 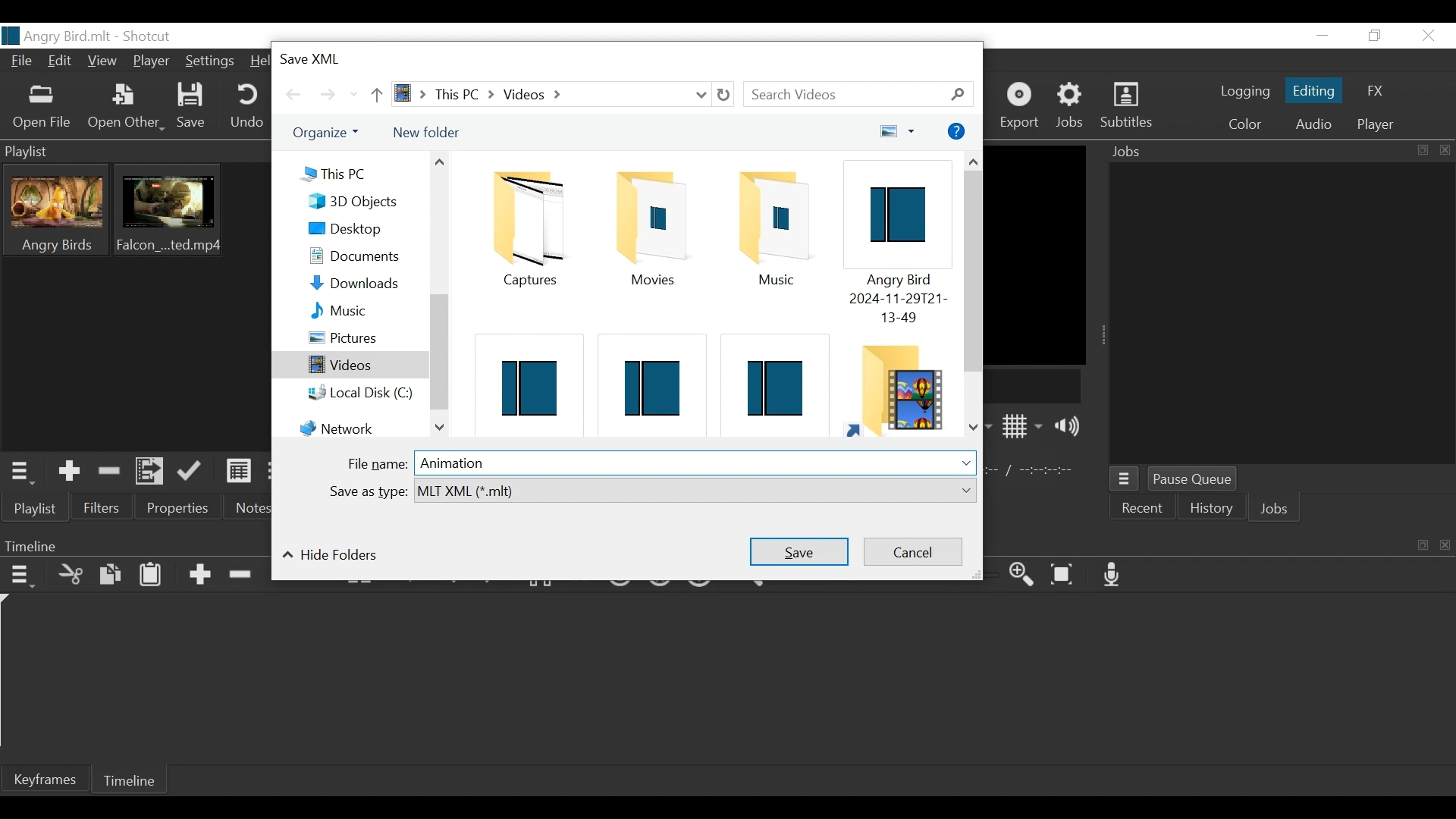 I want to click on Settings, so click(x=212, y=60).